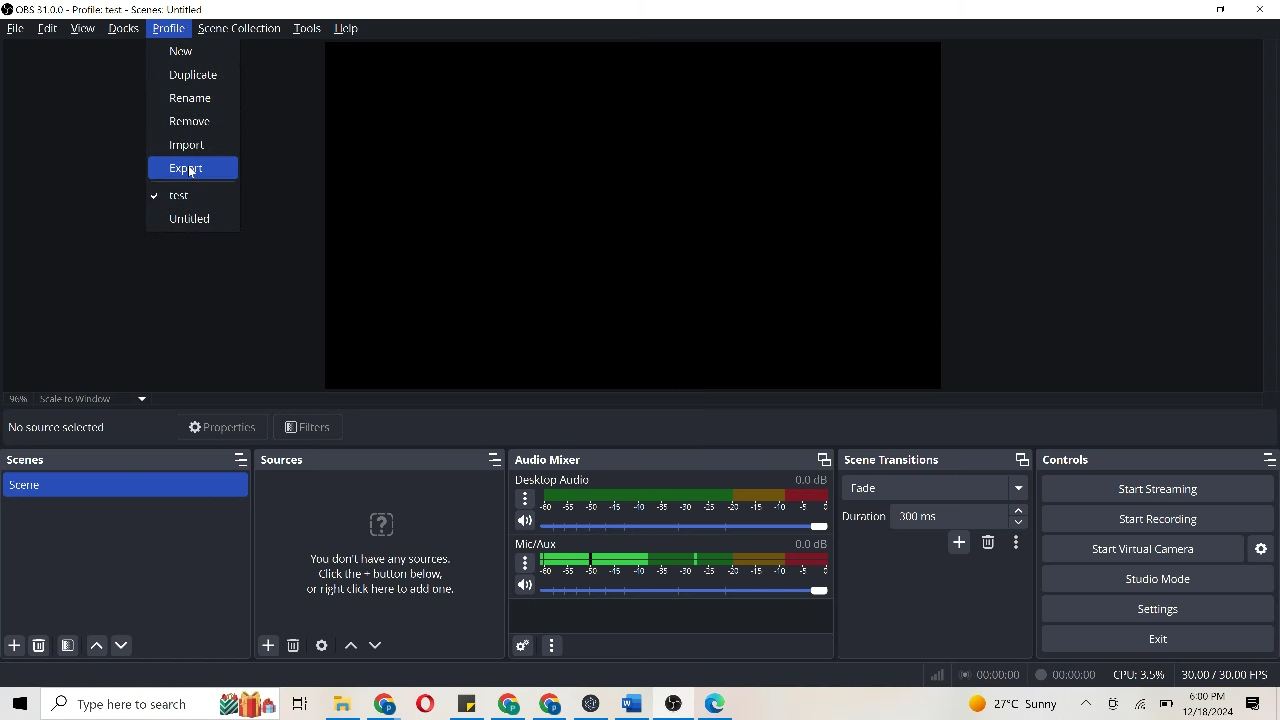  What do you see at coordinates (1222, 11) in the screenshot?
I see `minimize` at bounding box center [1222, 11].